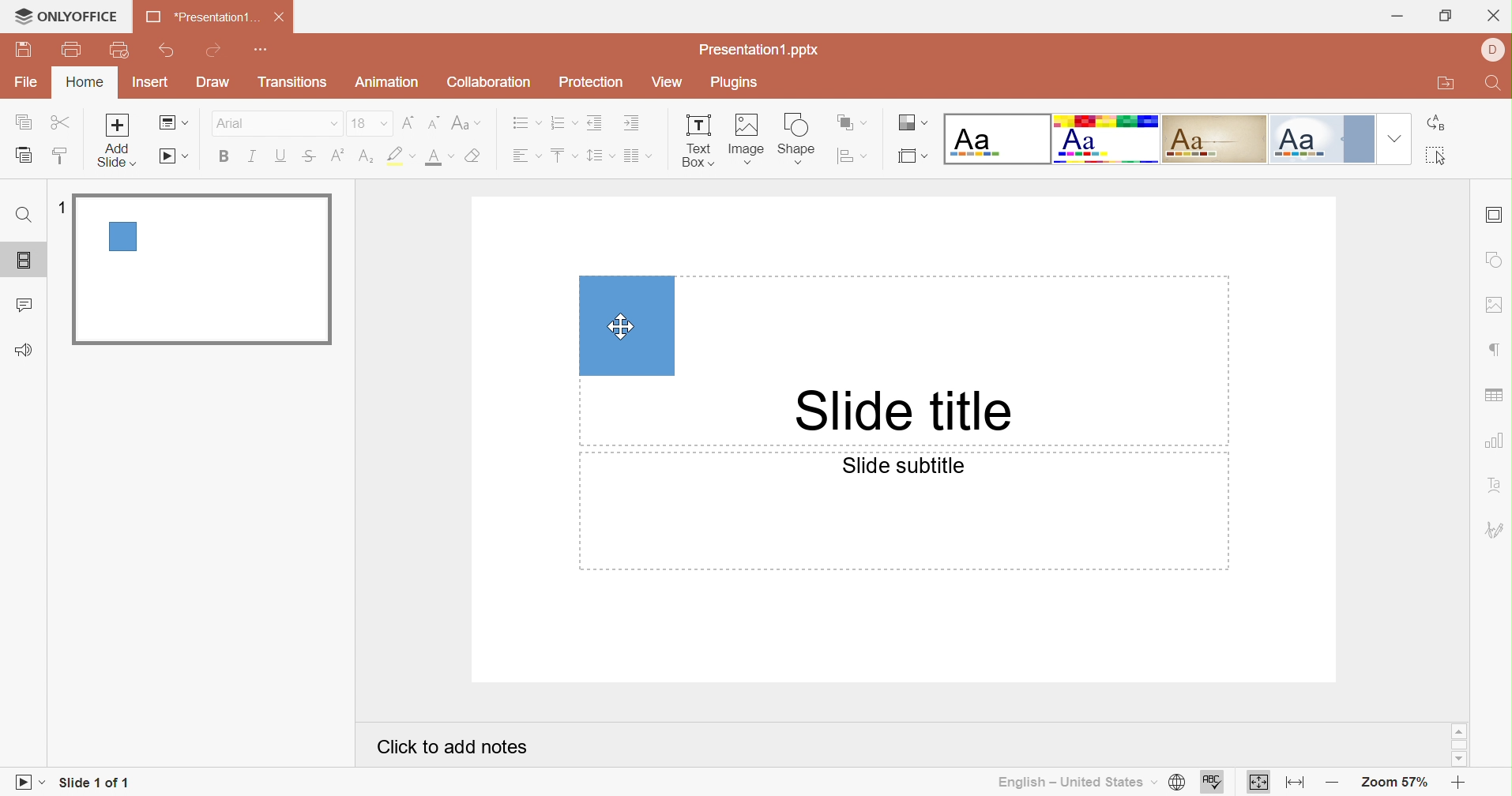 Image resolution: width=1512 pixels, height=796 pixels. What do you see at coordinates (852, 160) in the screenshot?
I see `Align shape` at bounding box center [852, 160].